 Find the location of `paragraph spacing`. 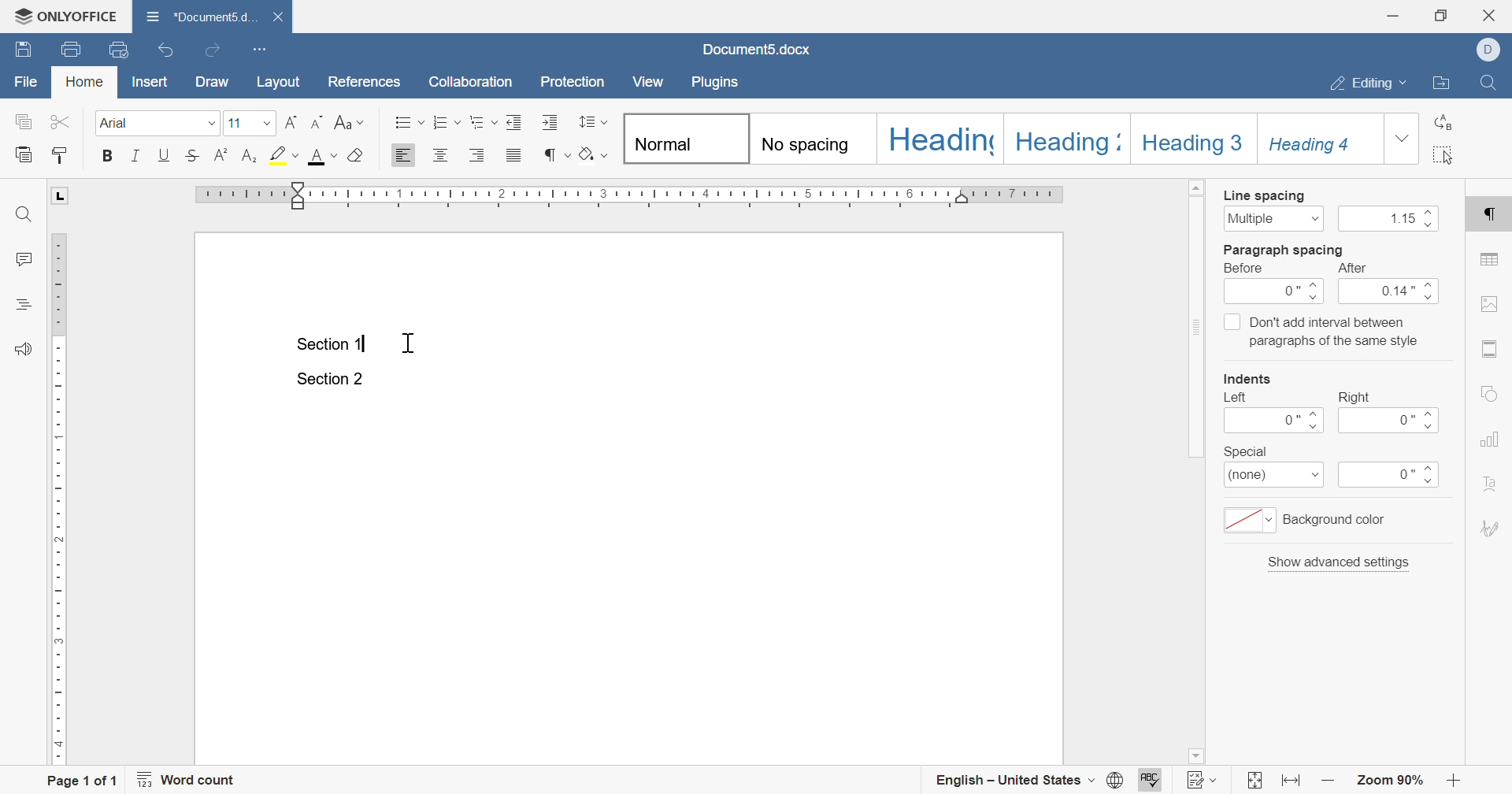

paragraph spacing is located at coordinates (1284, 250).